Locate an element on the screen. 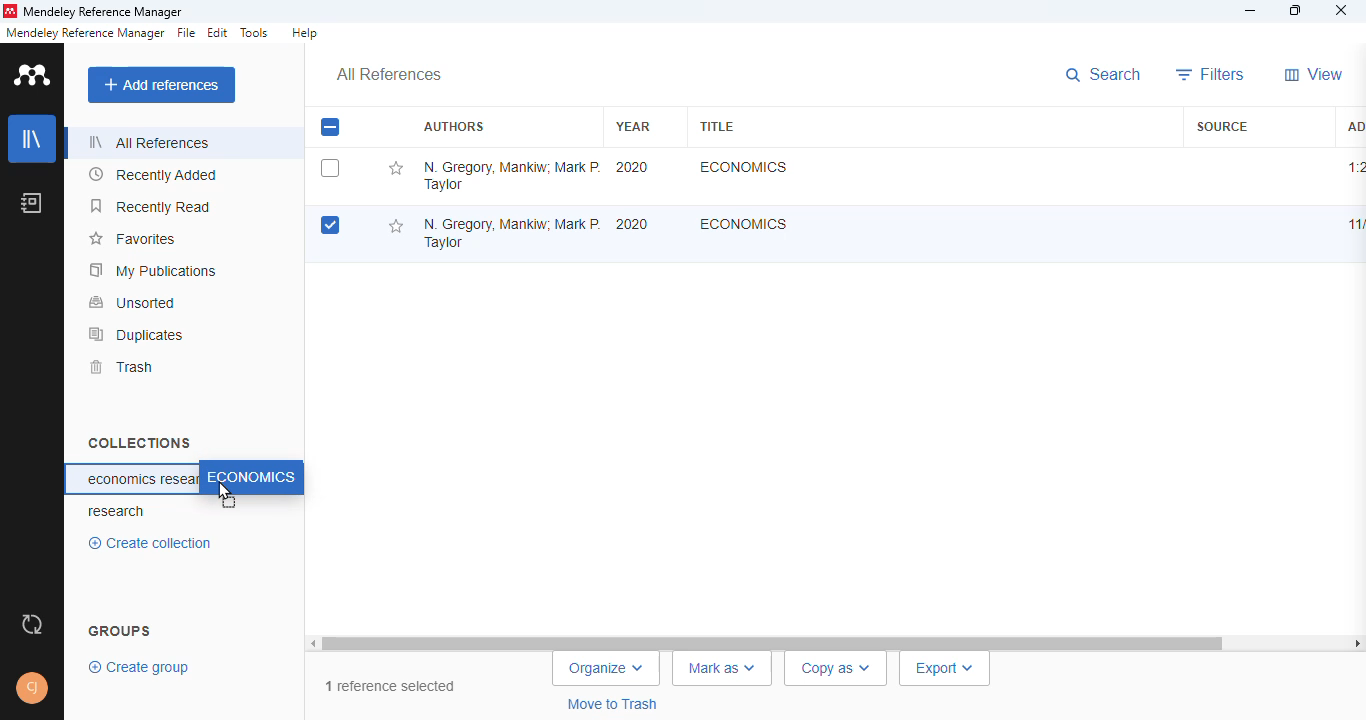 The image size is (1366, 720). my publications is located at coordinates (154, 270).